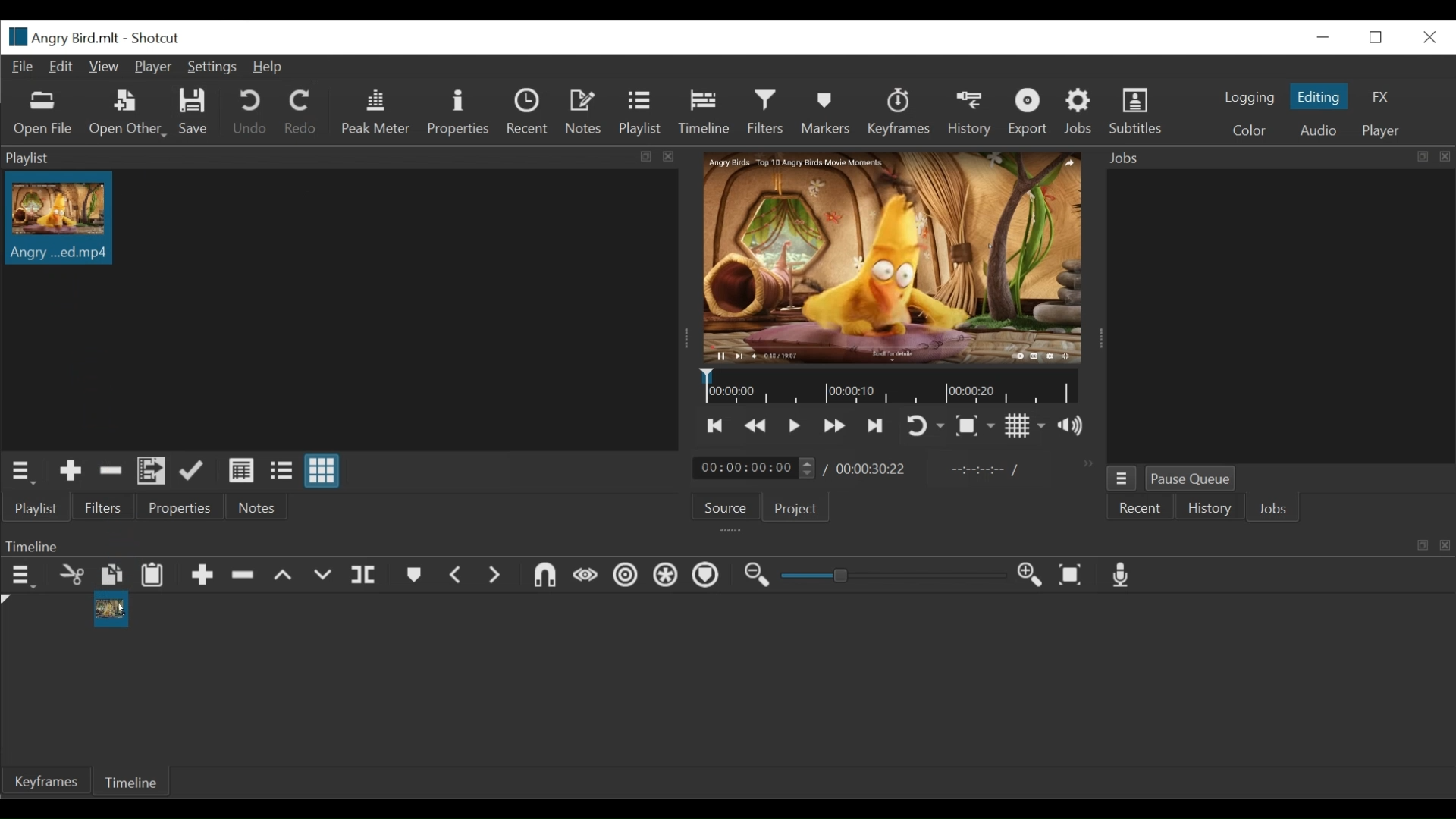  Describe the element at coordinates (544, 575) in the screenshot. I see `snap` at that location.